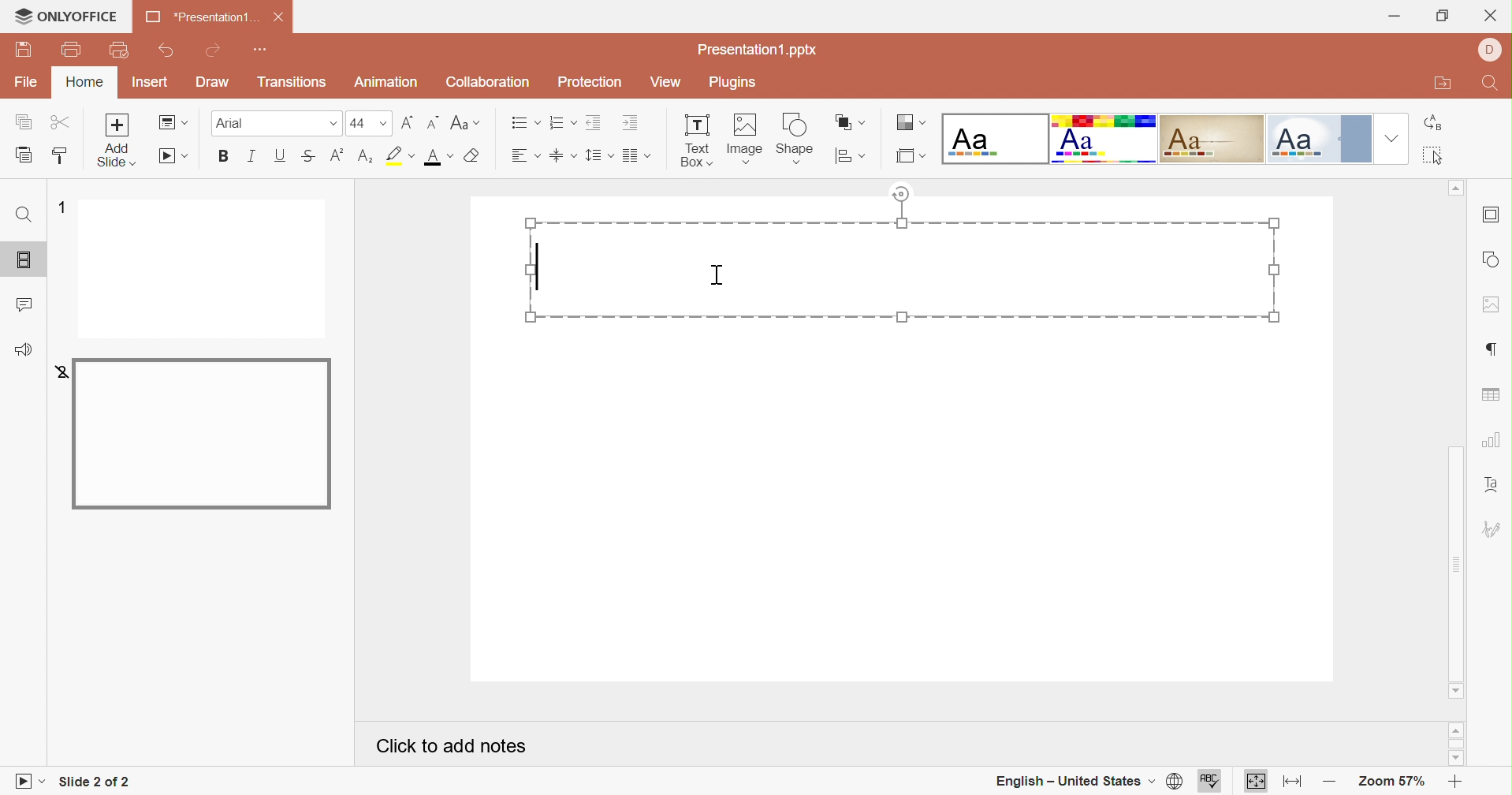  Describe the element at coordinates (23, 48) in the screenshot. I see `Save` at that location.